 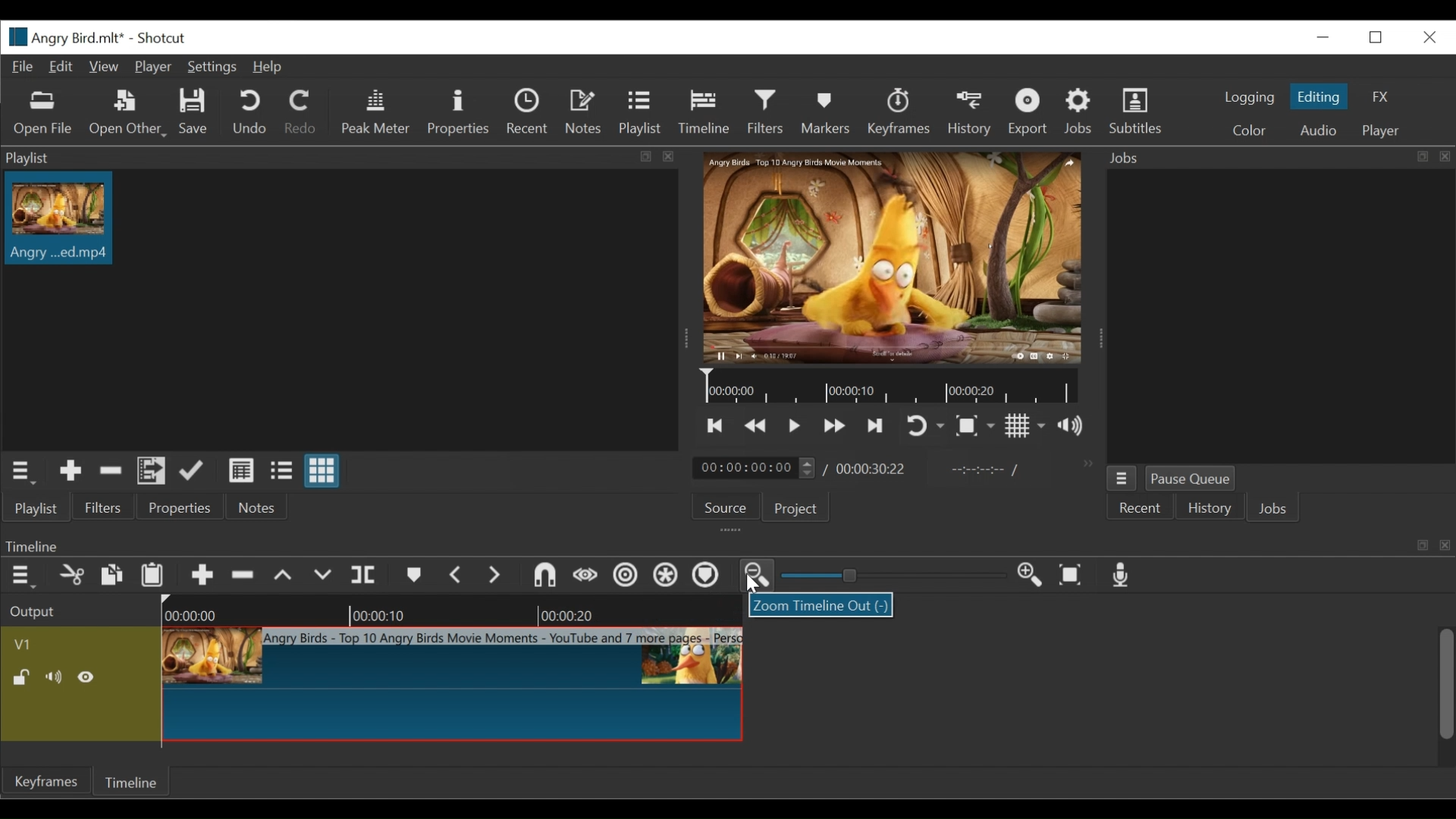 What do you see at coordinates (414, 577) in the screenshot?
I see `bookmark` at bounding box center [414, 577].